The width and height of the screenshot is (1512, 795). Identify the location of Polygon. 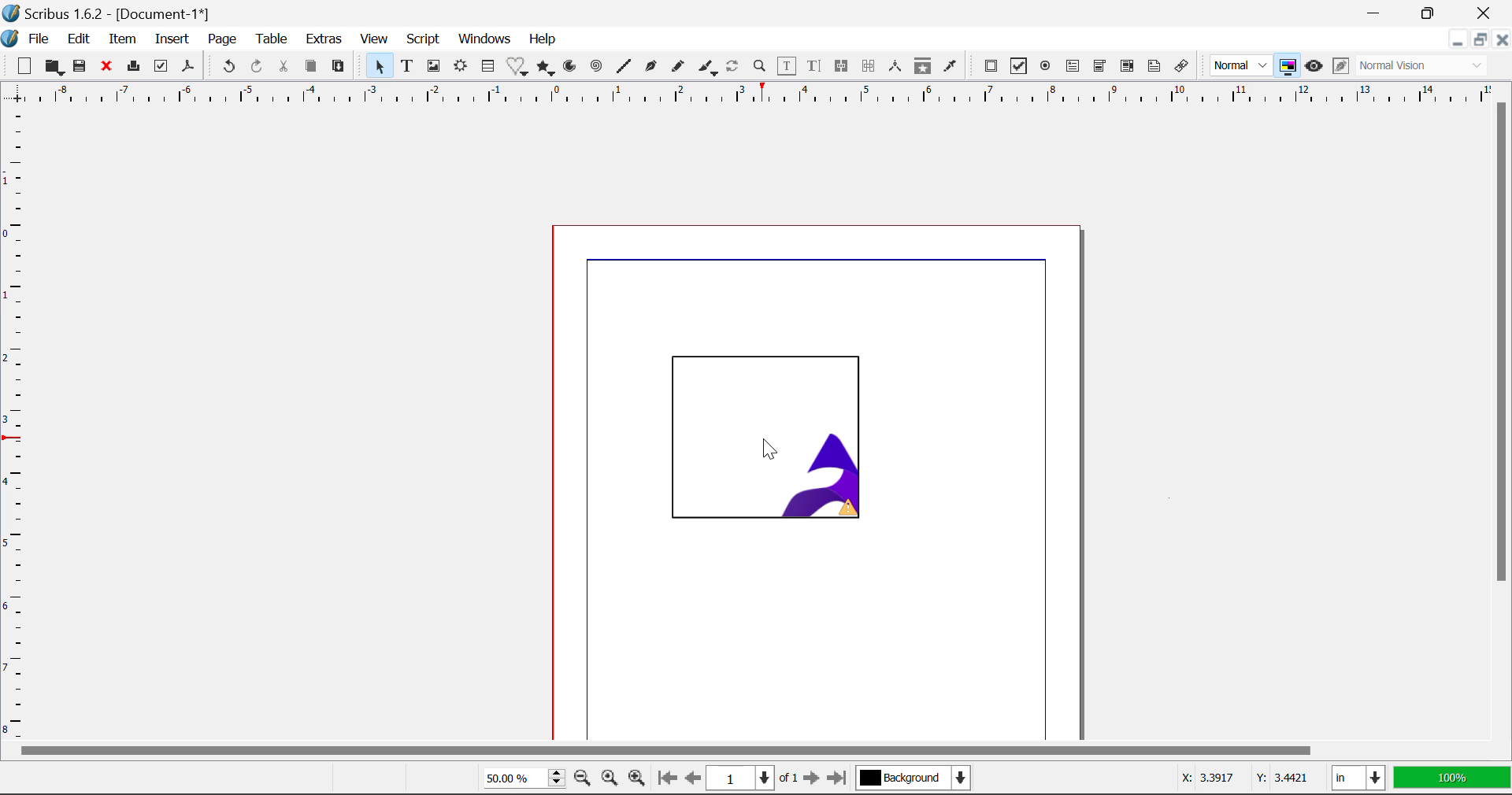
(547, 68).